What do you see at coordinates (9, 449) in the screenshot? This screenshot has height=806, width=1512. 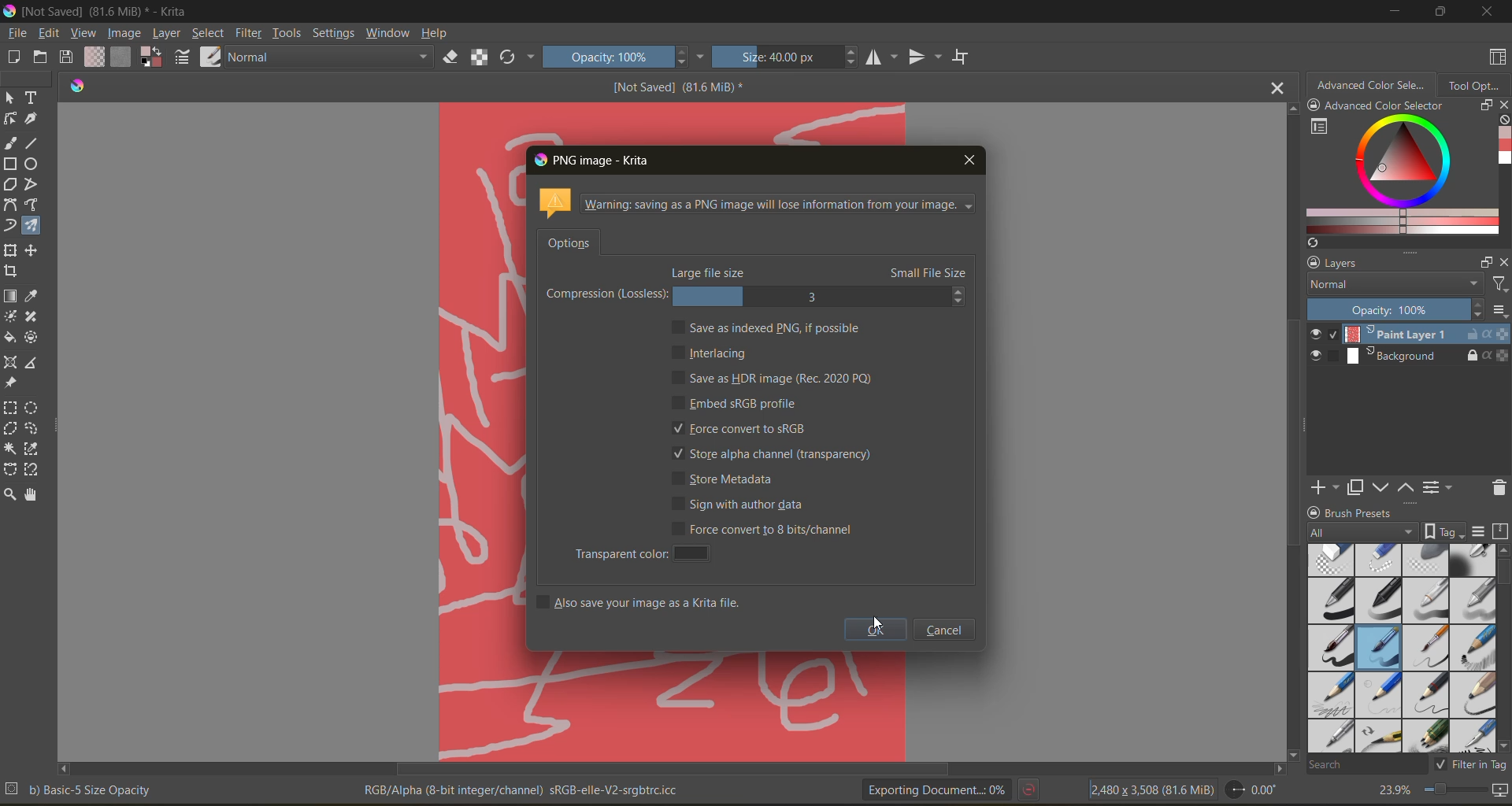 I see `tool` at bounding box center [9, 449].